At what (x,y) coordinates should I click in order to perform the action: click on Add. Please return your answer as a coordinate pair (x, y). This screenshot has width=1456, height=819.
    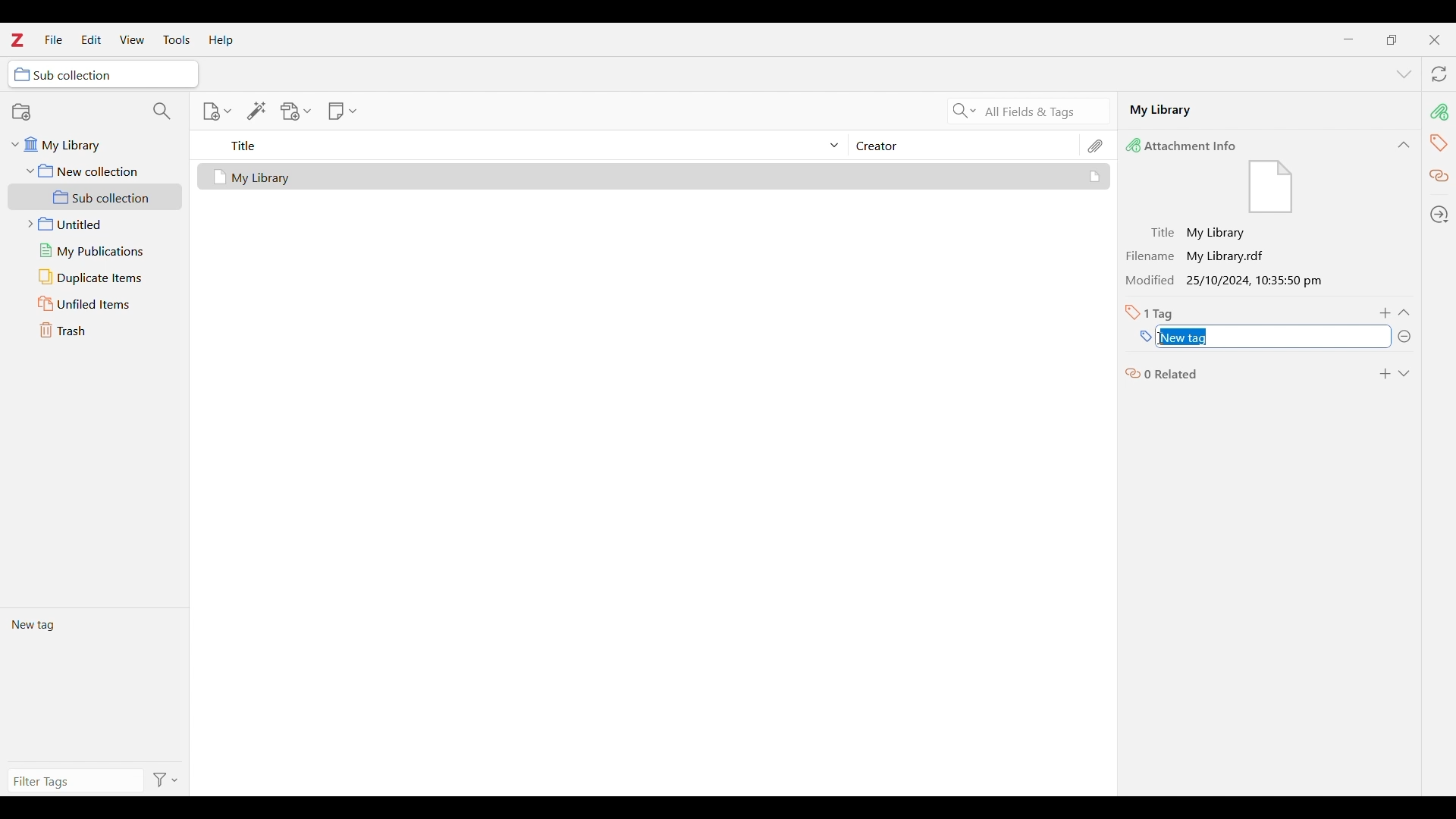
    Looking at the image, I should click on (1386, 313).